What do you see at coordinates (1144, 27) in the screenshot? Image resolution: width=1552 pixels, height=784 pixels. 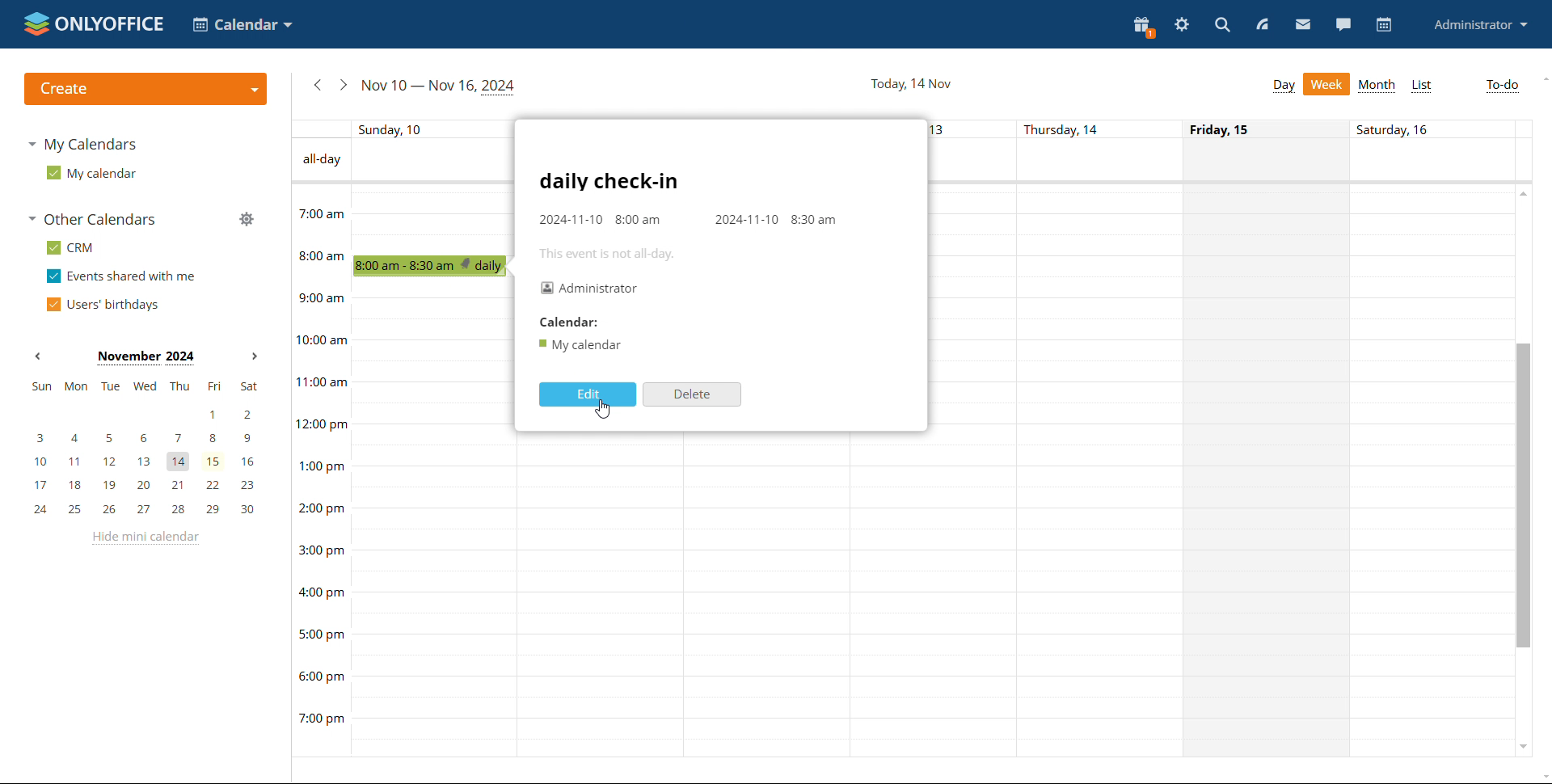 I see `present` at bounding box center [1144, 27].